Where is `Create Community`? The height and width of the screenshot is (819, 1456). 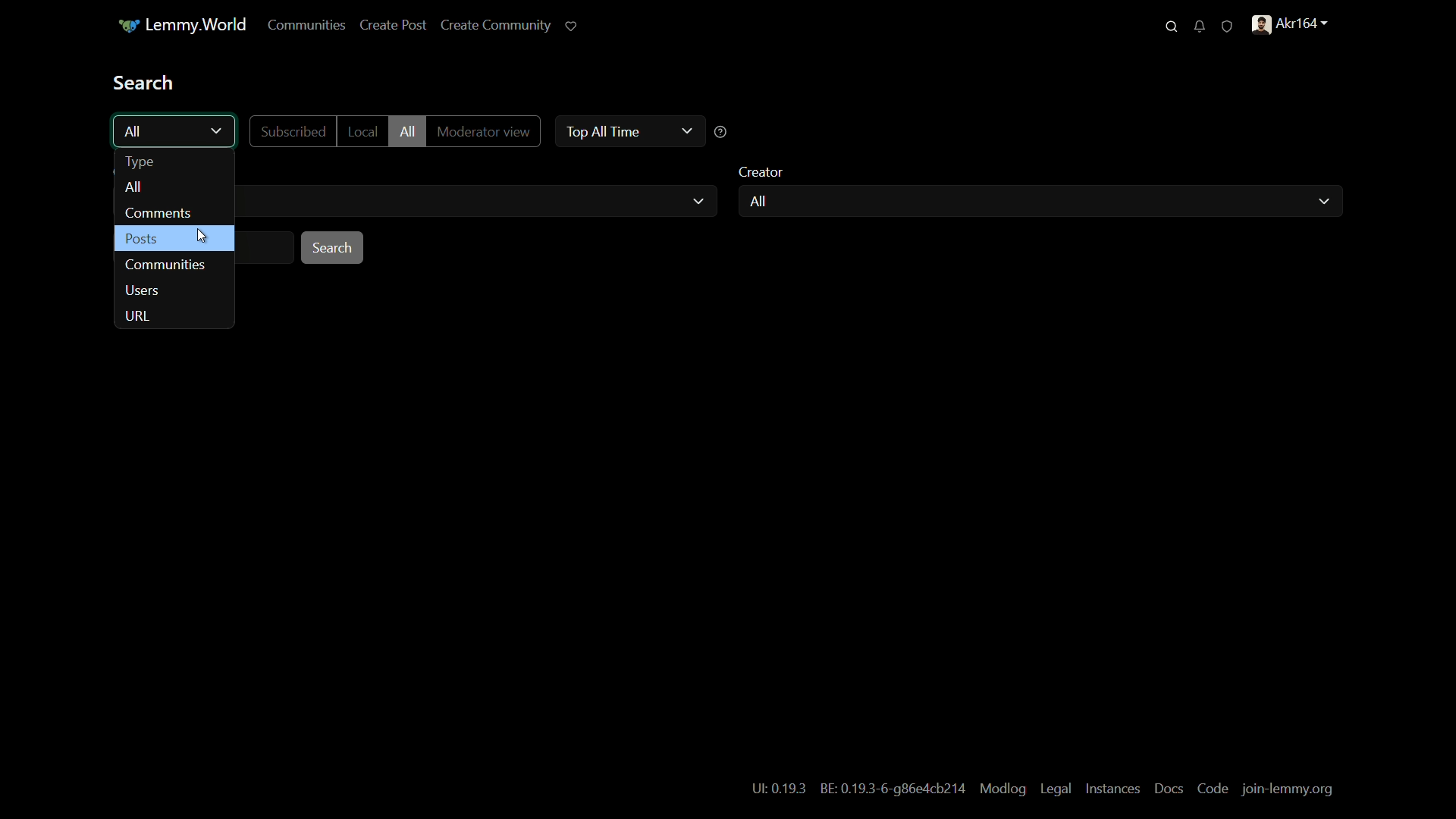
Create Community is located at coordinates (496, 24).